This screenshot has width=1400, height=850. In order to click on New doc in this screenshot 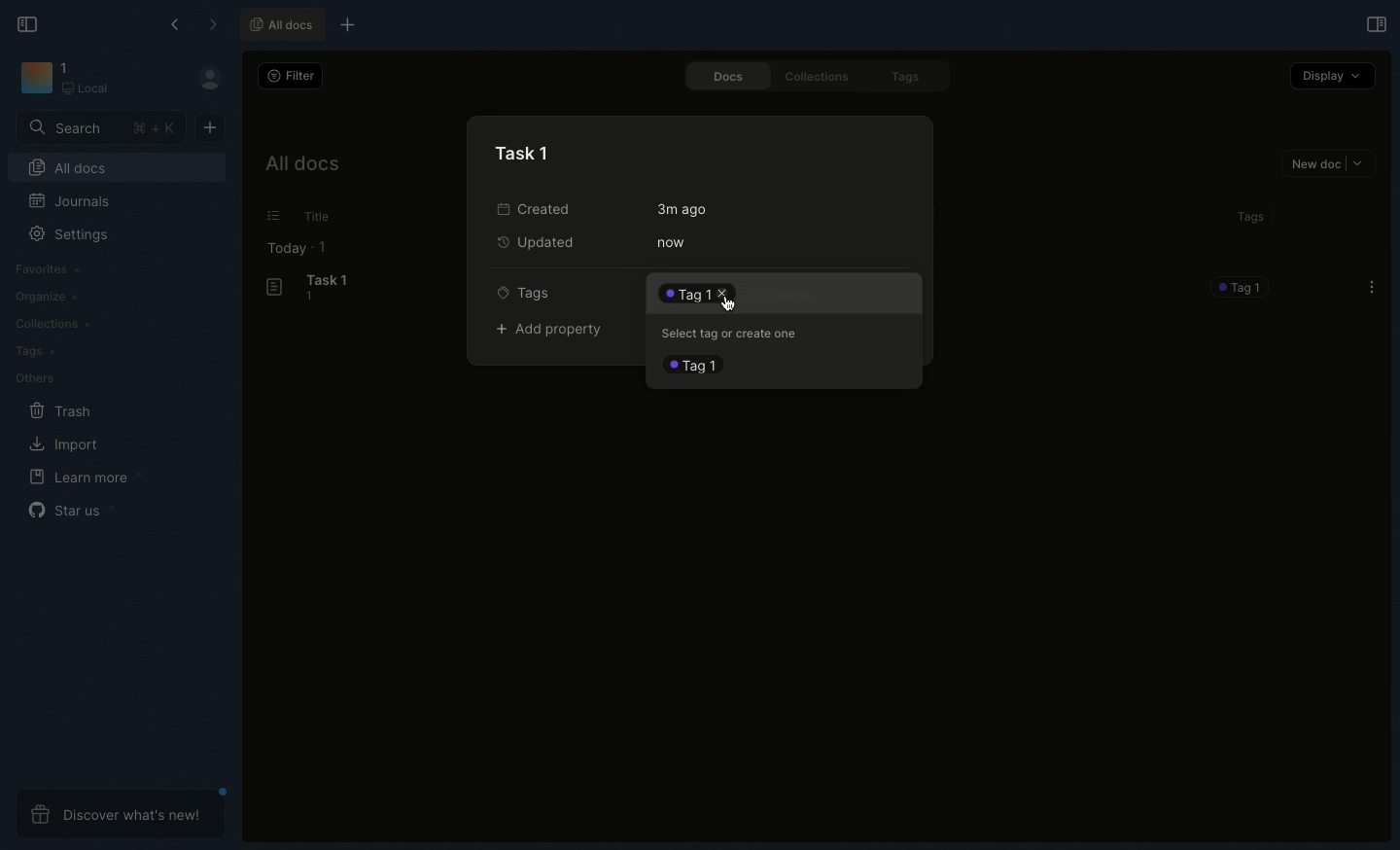, I will do `click(212, 127)`.